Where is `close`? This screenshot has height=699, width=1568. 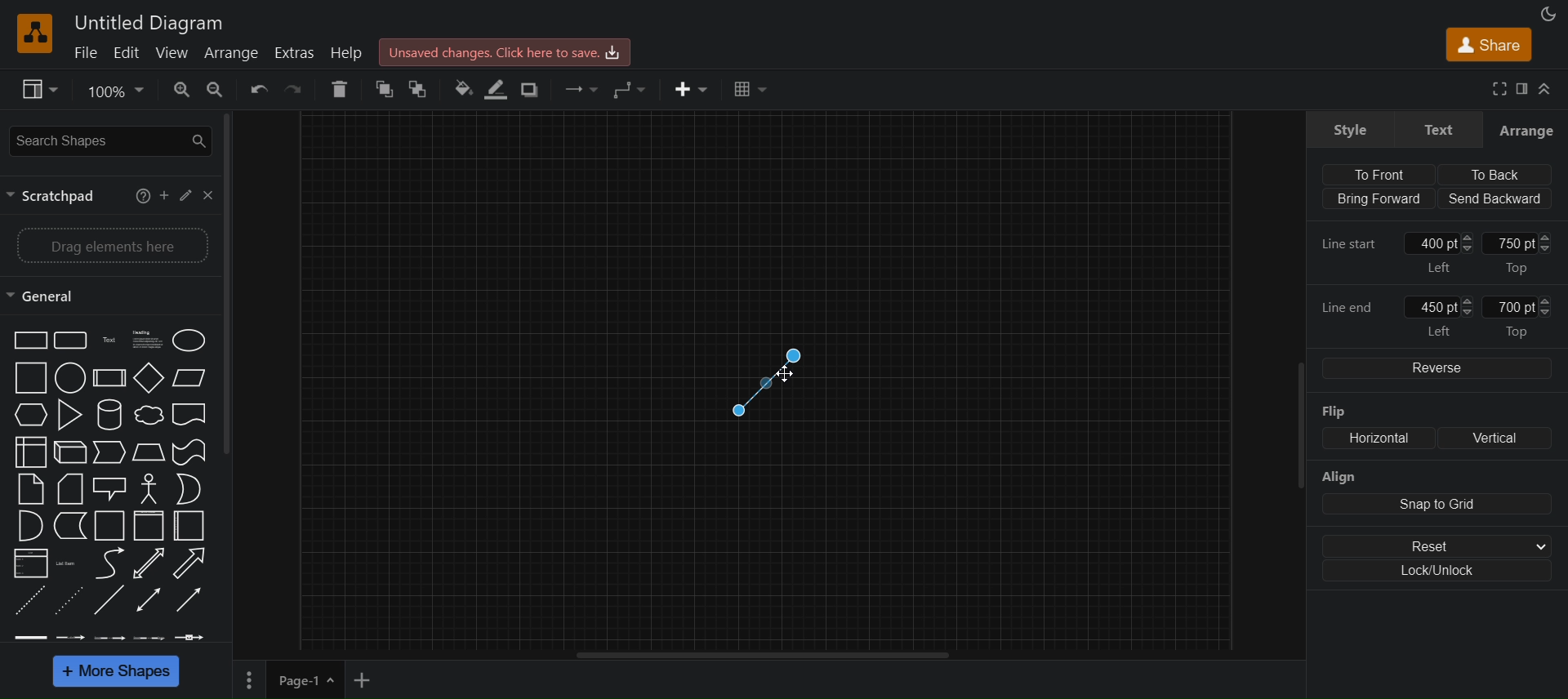 close is located at coordinates (209, 194).